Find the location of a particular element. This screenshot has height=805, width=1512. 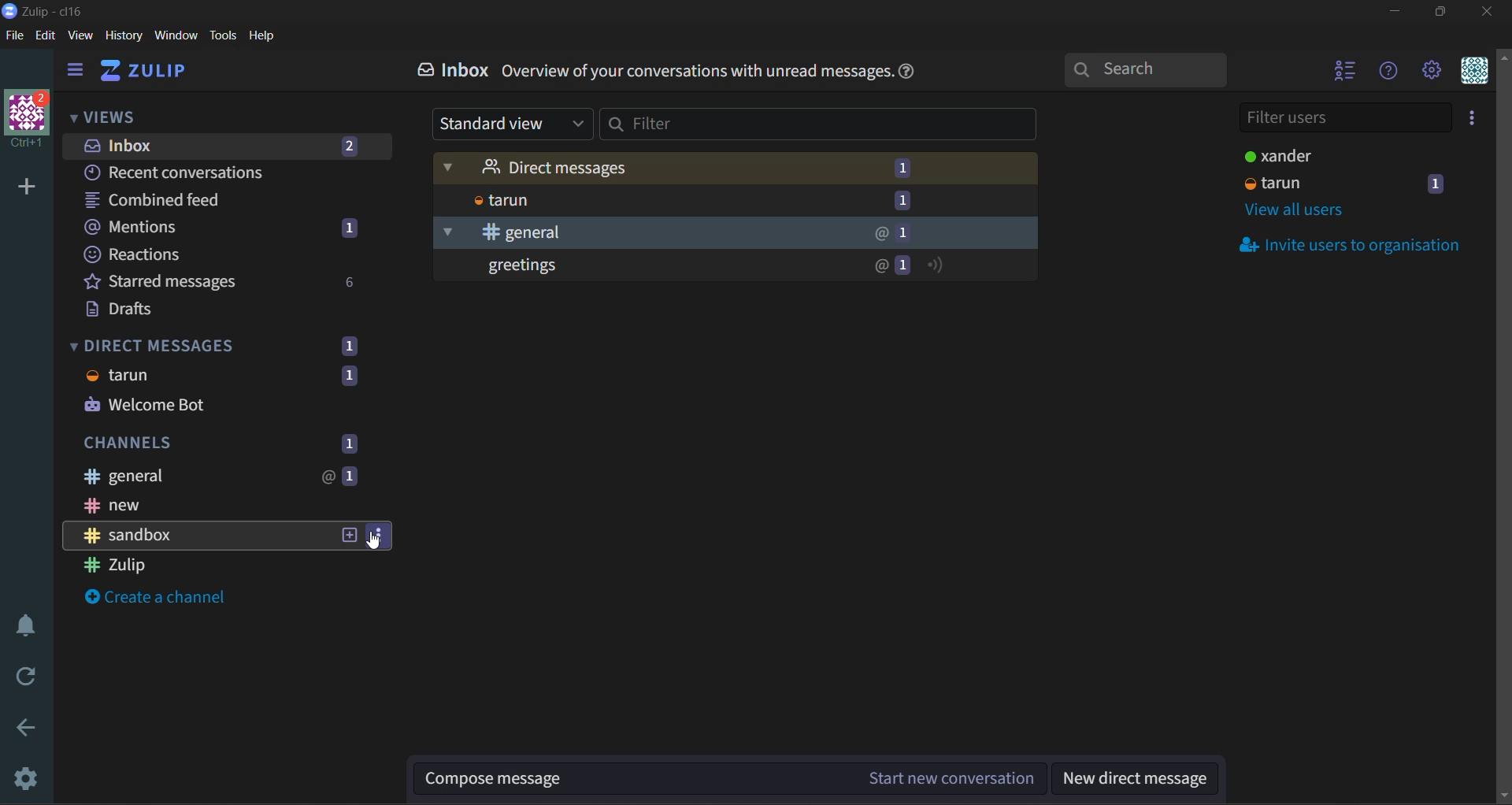

hide side bar is located at coordinates (80, 72).